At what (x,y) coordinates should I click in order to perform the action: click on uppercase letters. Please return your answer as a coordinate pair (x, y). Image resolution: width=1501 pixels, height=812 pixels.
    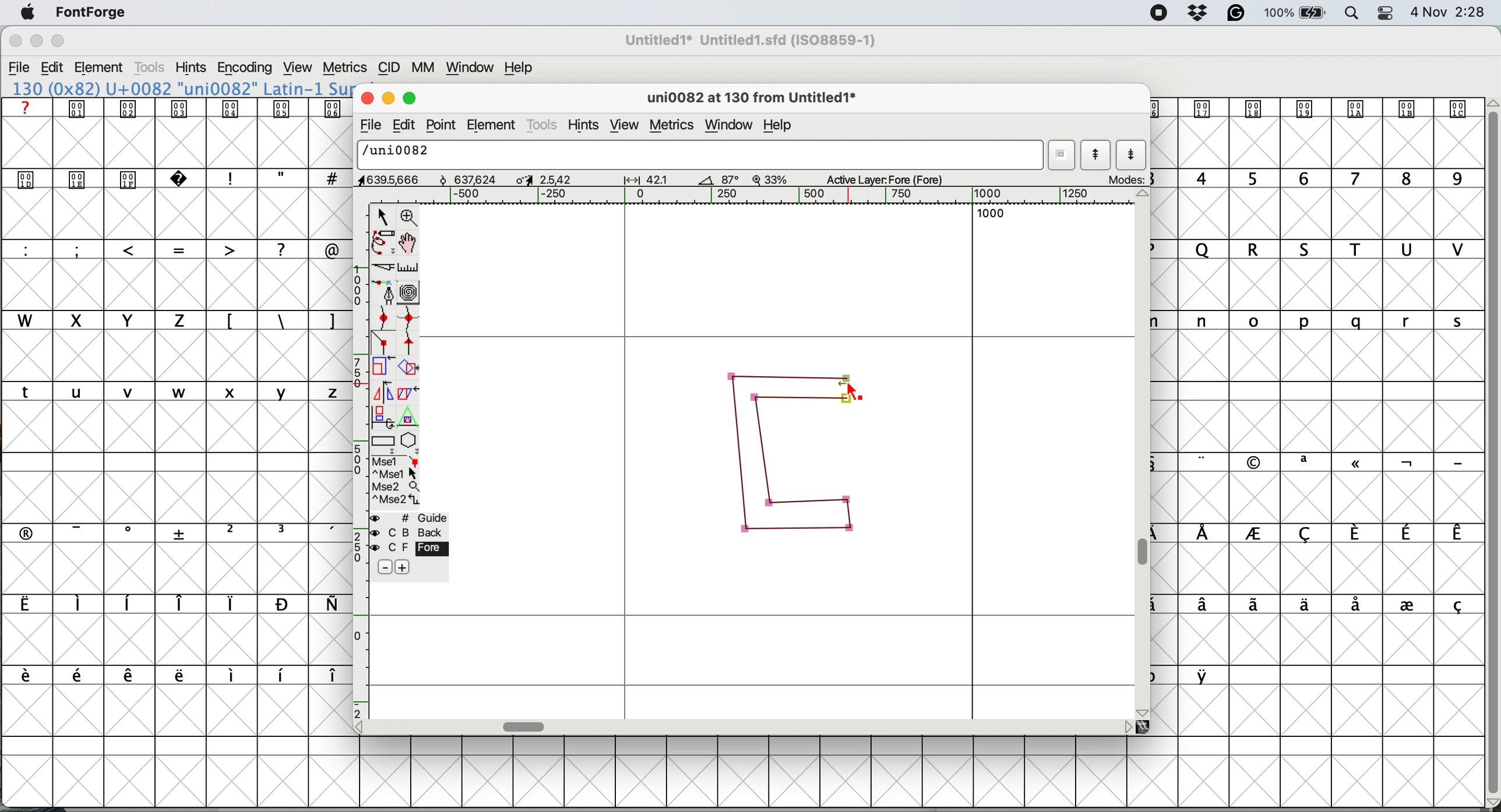
    Looking at the image, I should click on (1325, 249).